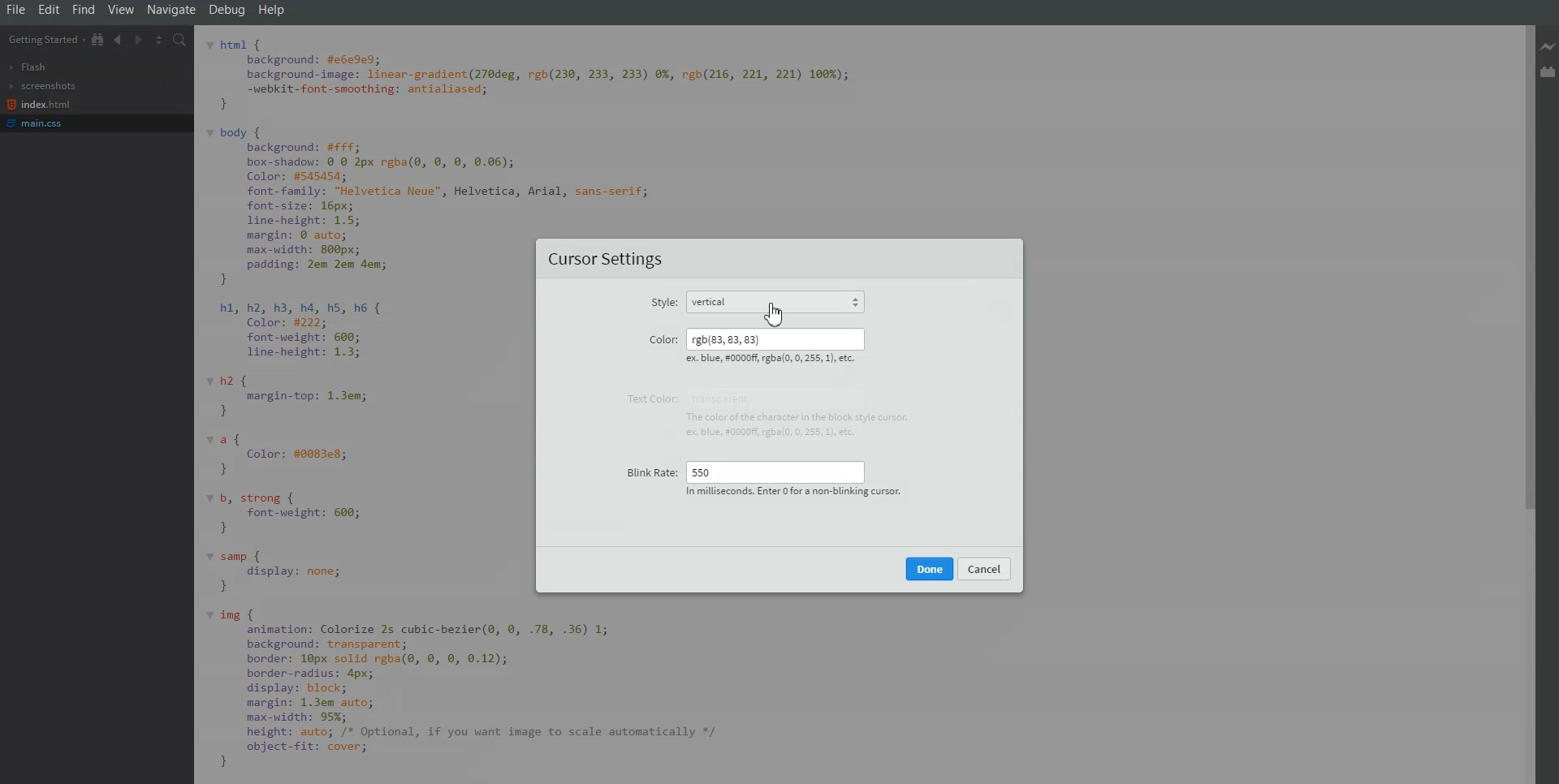  I want to click on rgb(83,83,83), so click(773, 338).